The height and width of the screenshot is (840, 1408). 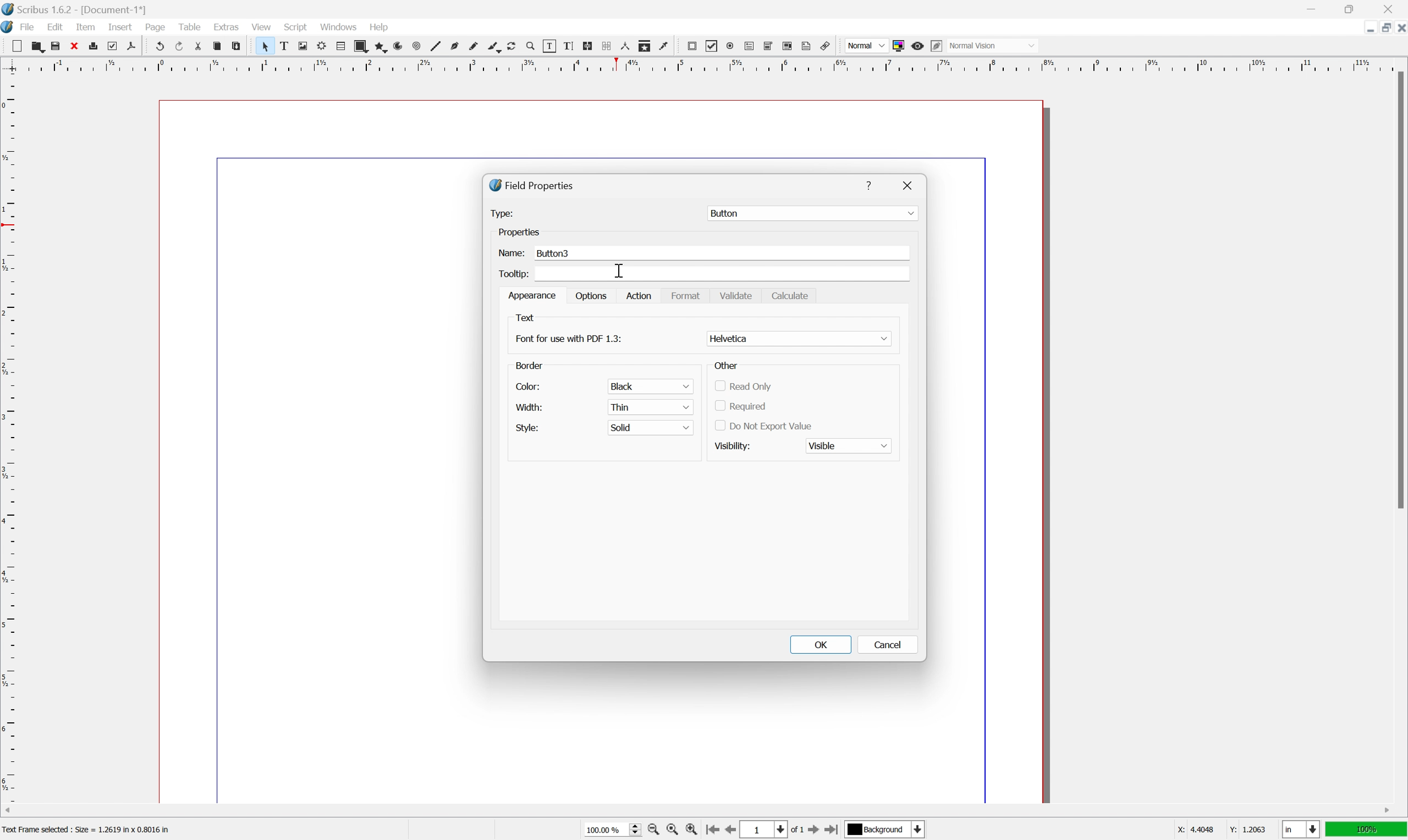 I want to click on preview mode, so click(x=917, y=46).